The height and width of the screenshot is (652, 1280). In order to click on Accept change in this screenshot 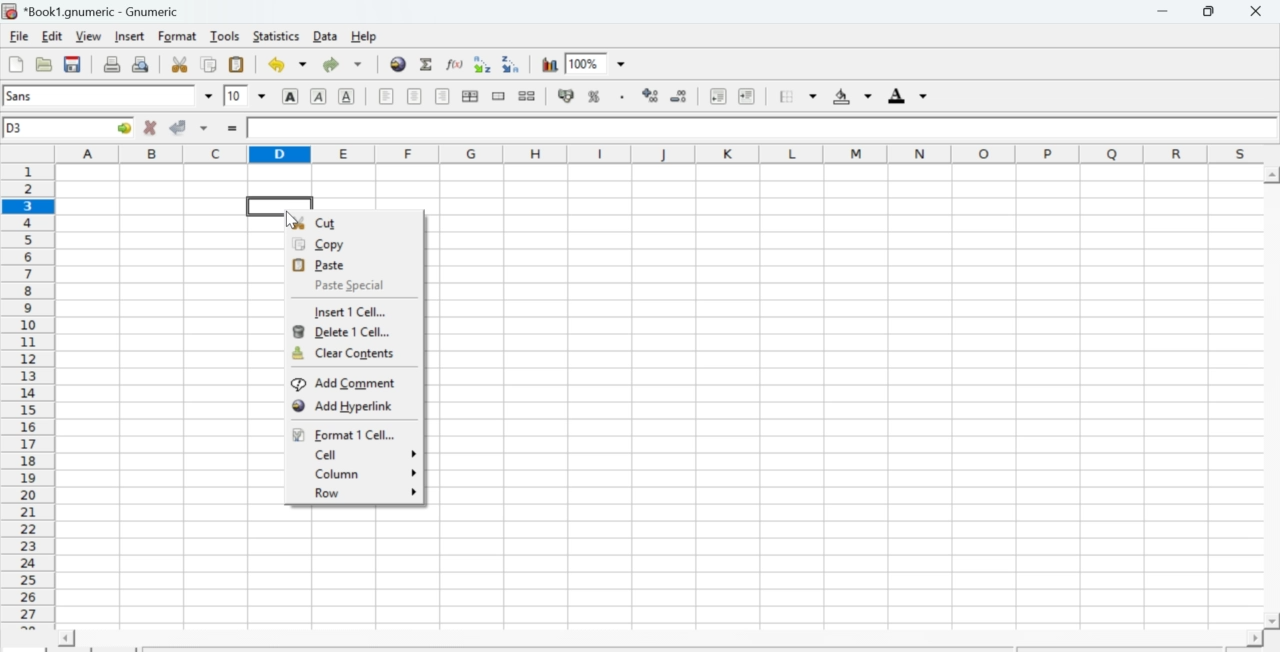, I will do `click(177, 127)`.